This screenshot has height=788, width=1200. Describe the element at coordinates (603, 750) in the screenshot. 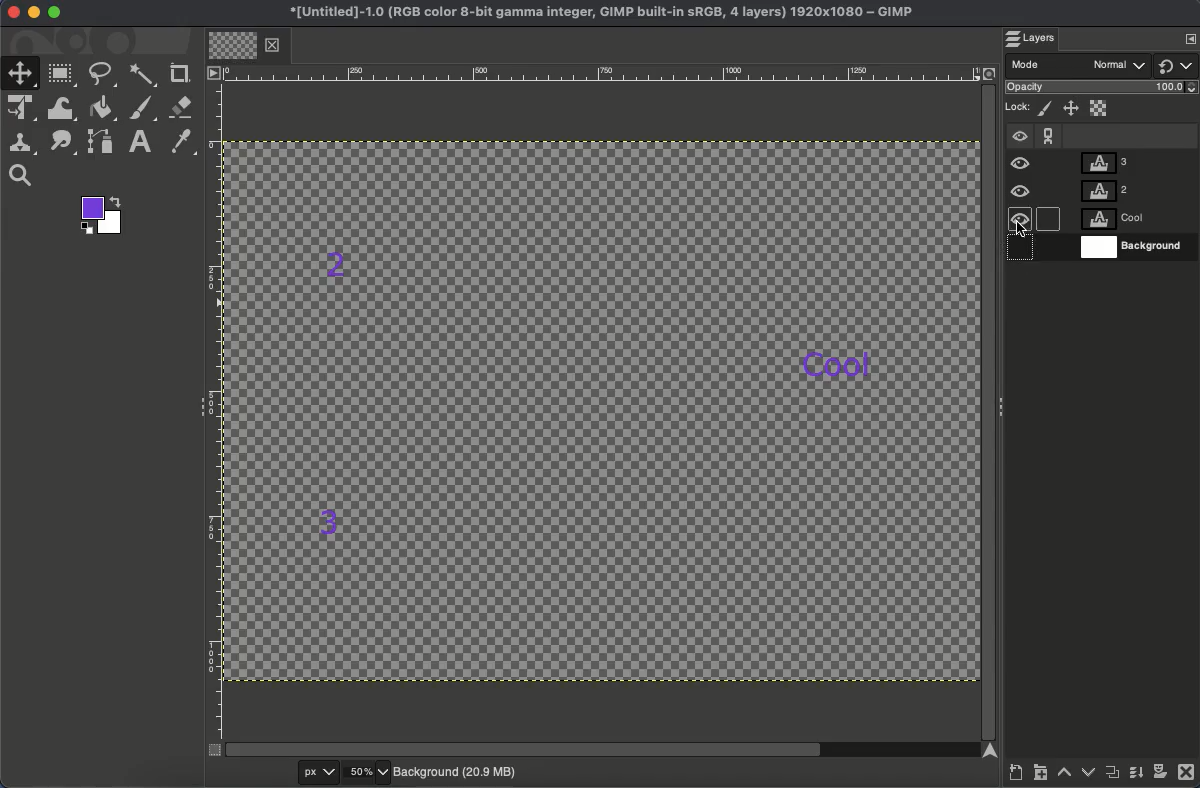

I see `Scroll` at that location.